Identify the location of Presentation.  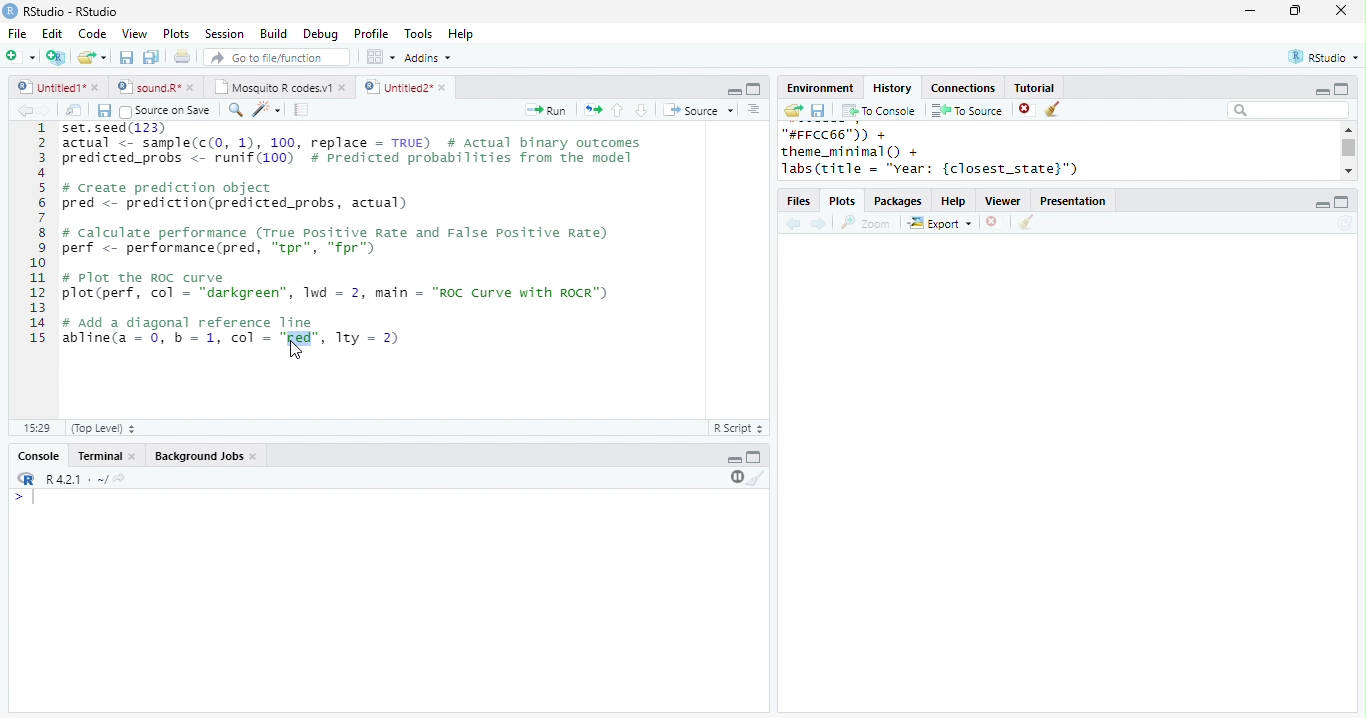
(1073, 201).